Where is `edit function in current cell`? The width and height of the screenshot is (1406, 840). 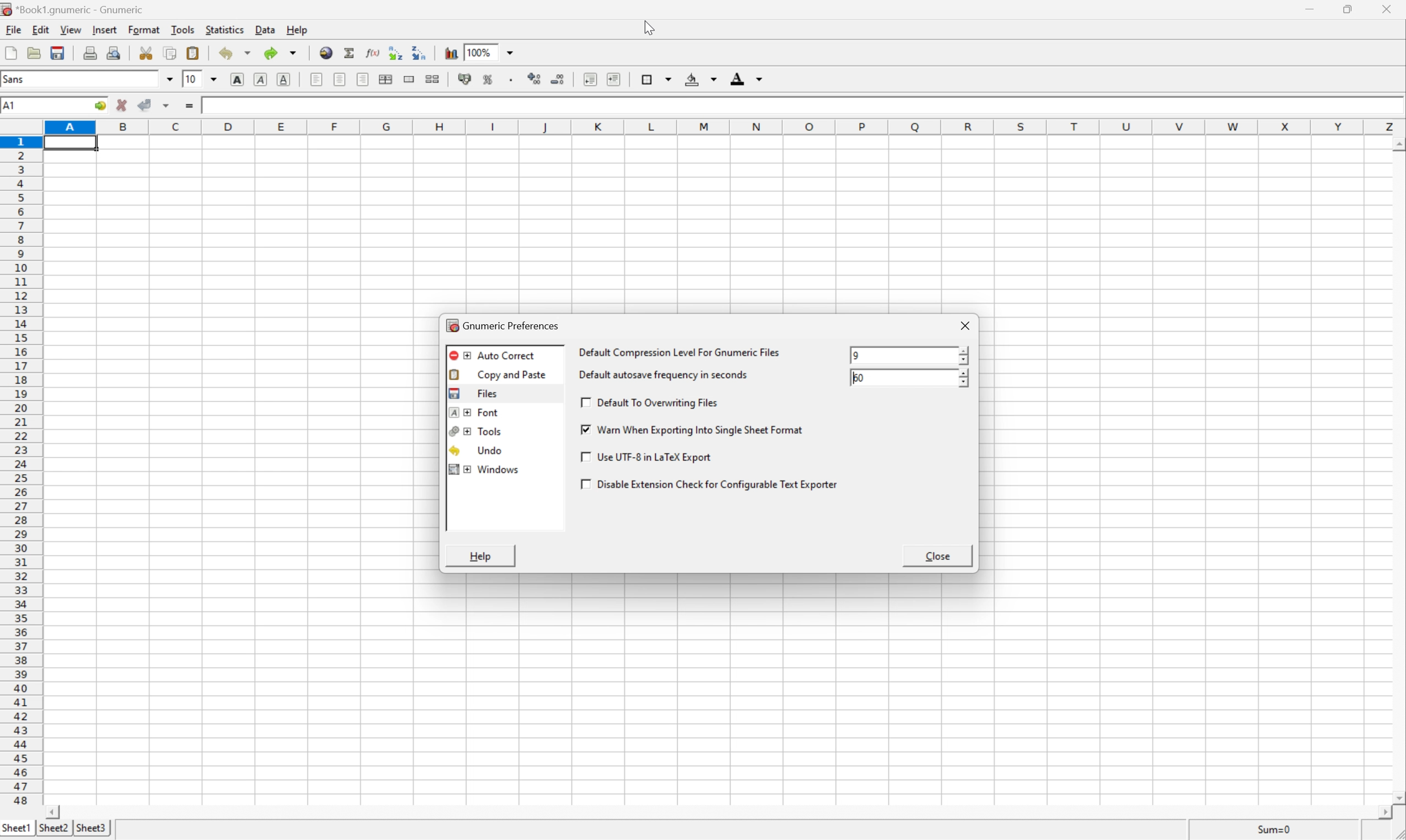
edit function in current cell is located at coordinates (374, 52).